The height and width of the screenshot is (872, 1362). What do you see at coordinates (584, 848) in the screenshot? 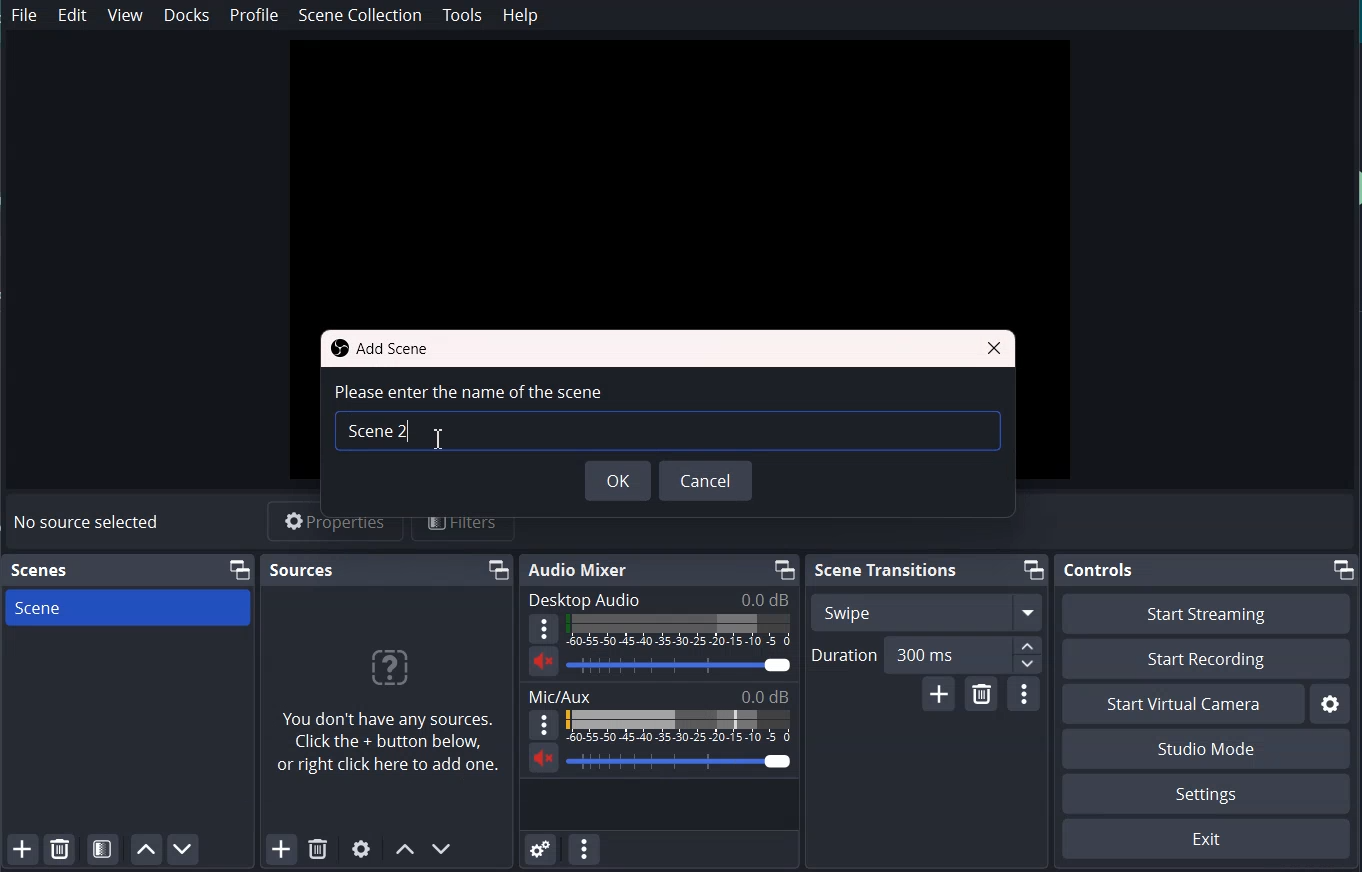
I see `Audio mixer menu` at bounding box center [584, 848].